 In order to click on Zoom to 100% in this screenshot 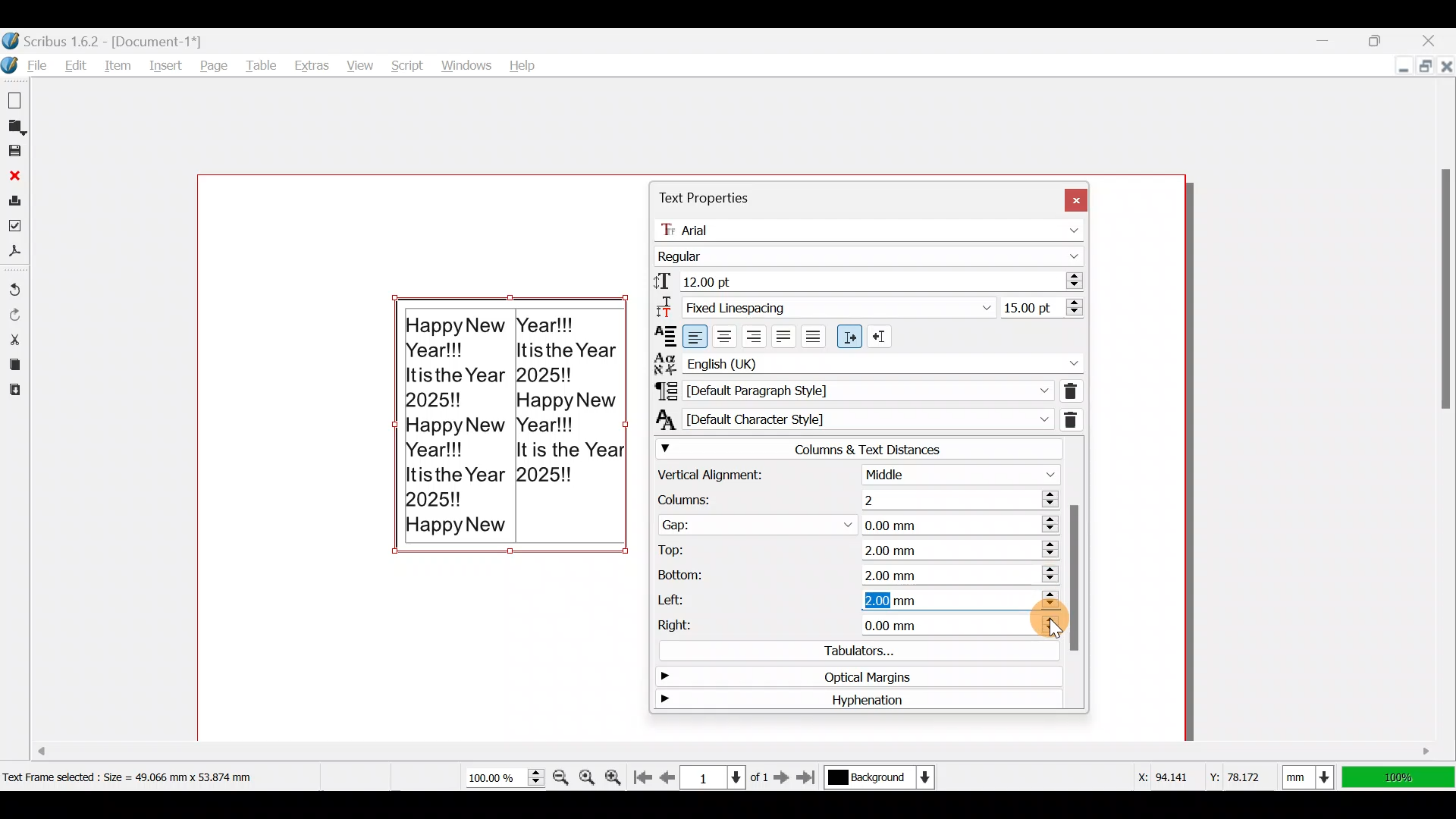, I will do `click(588, 773)`.